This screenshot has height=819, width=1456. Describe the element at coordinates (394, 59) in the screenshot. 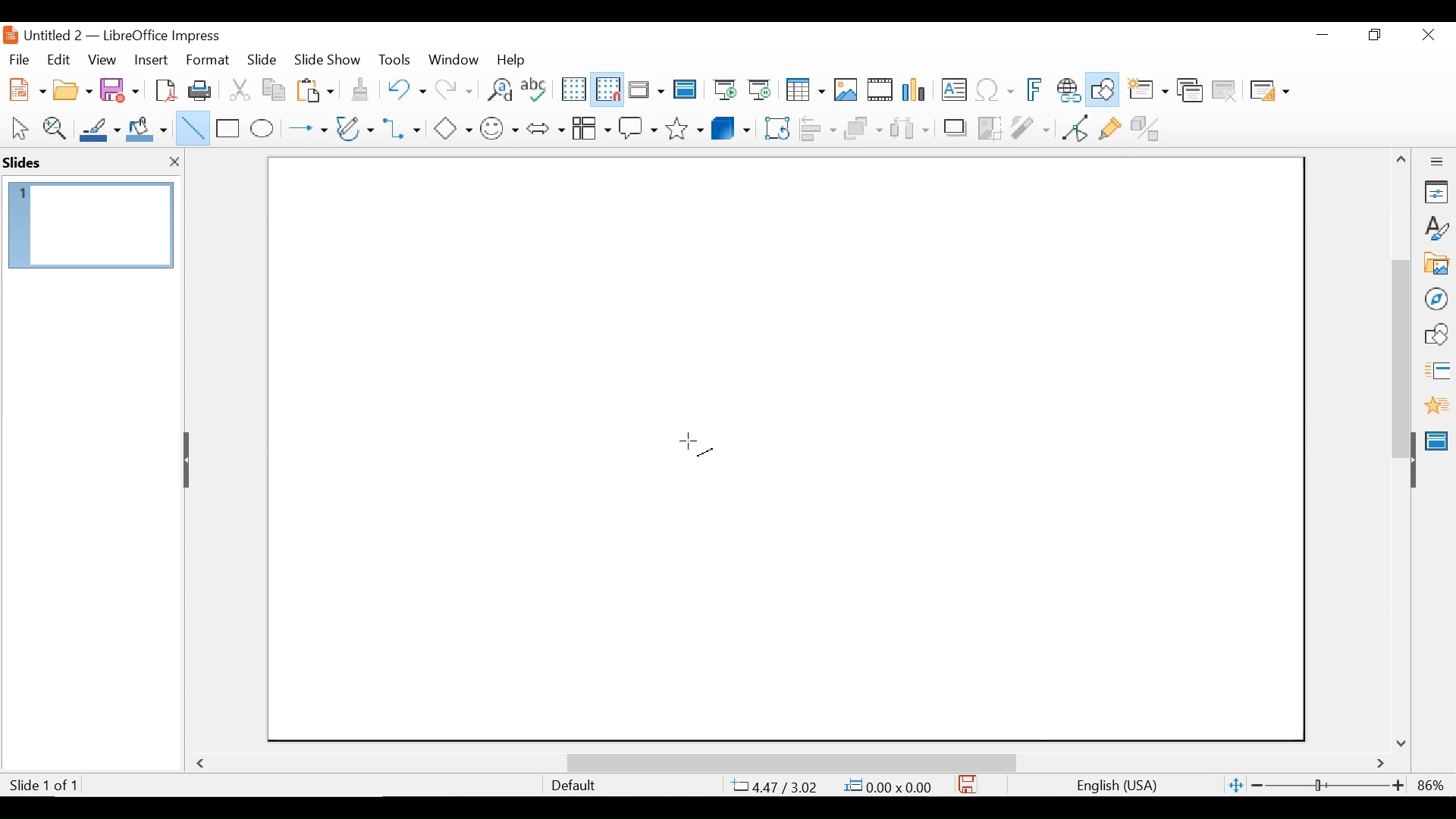

I see `Tools` at that location.